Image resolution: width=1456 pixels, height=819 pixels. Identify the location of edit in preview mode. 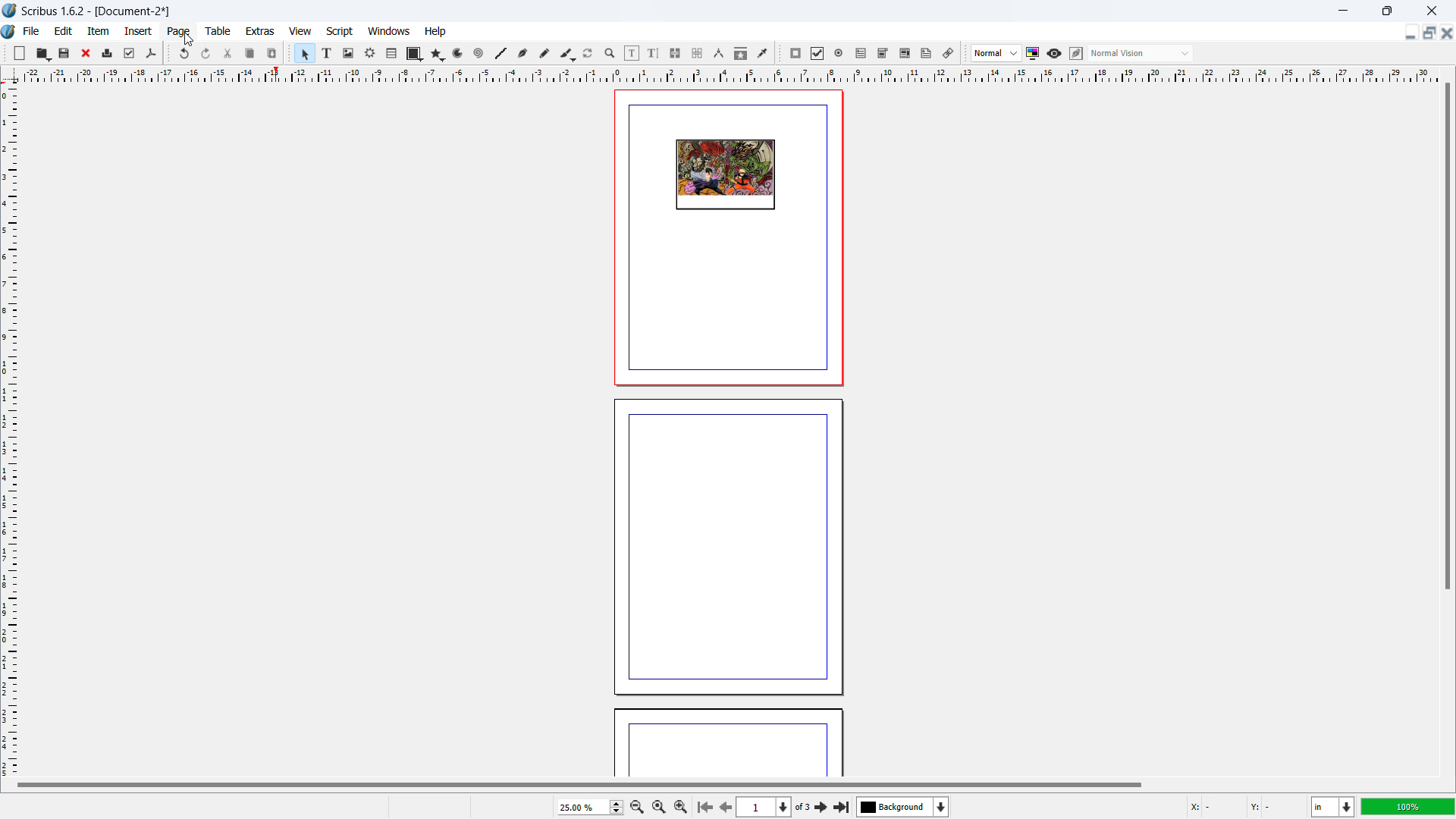
(1075, 54).